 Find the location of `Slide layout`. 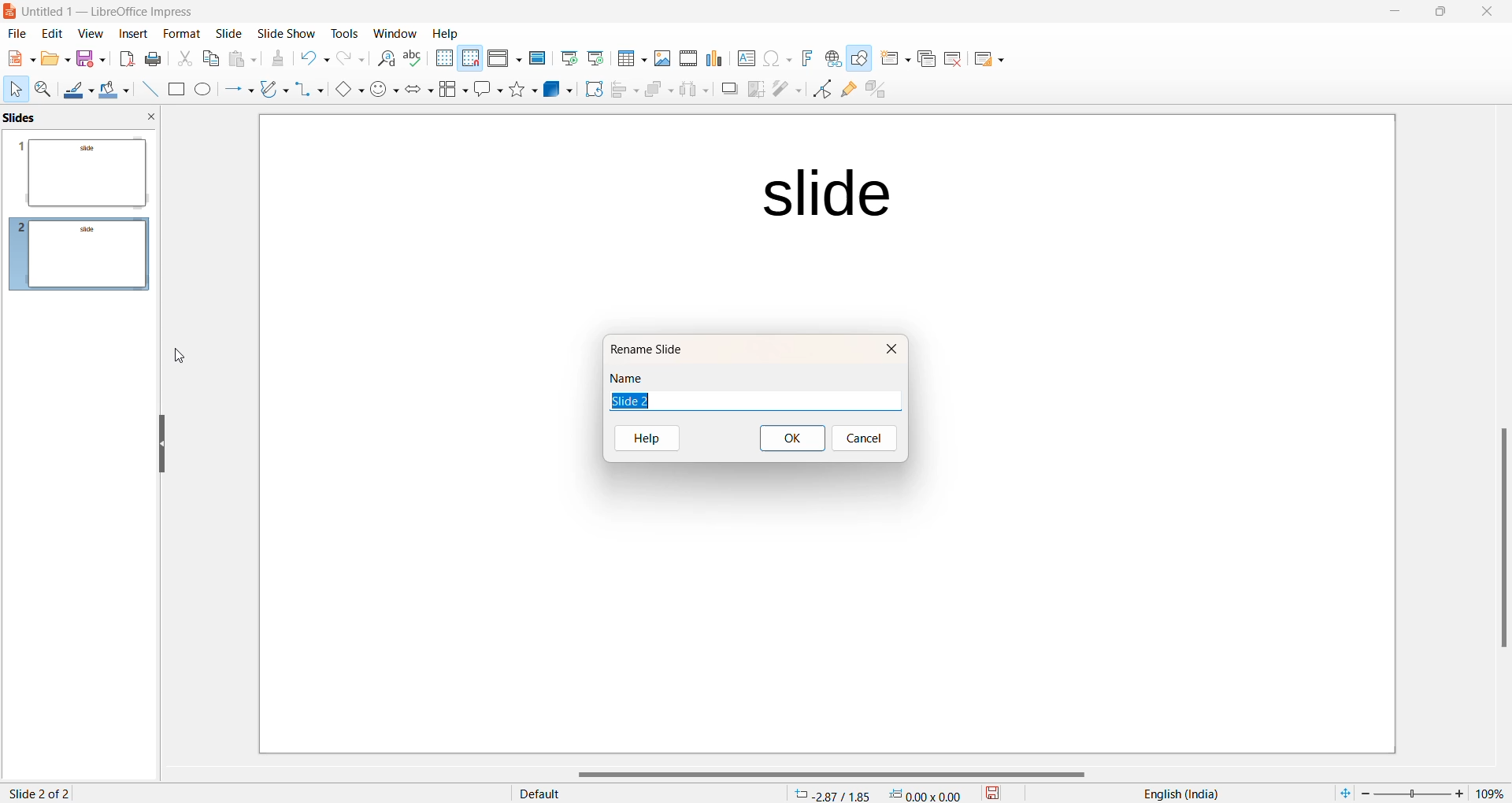

Slide layout is located at coordinates (994, 57).